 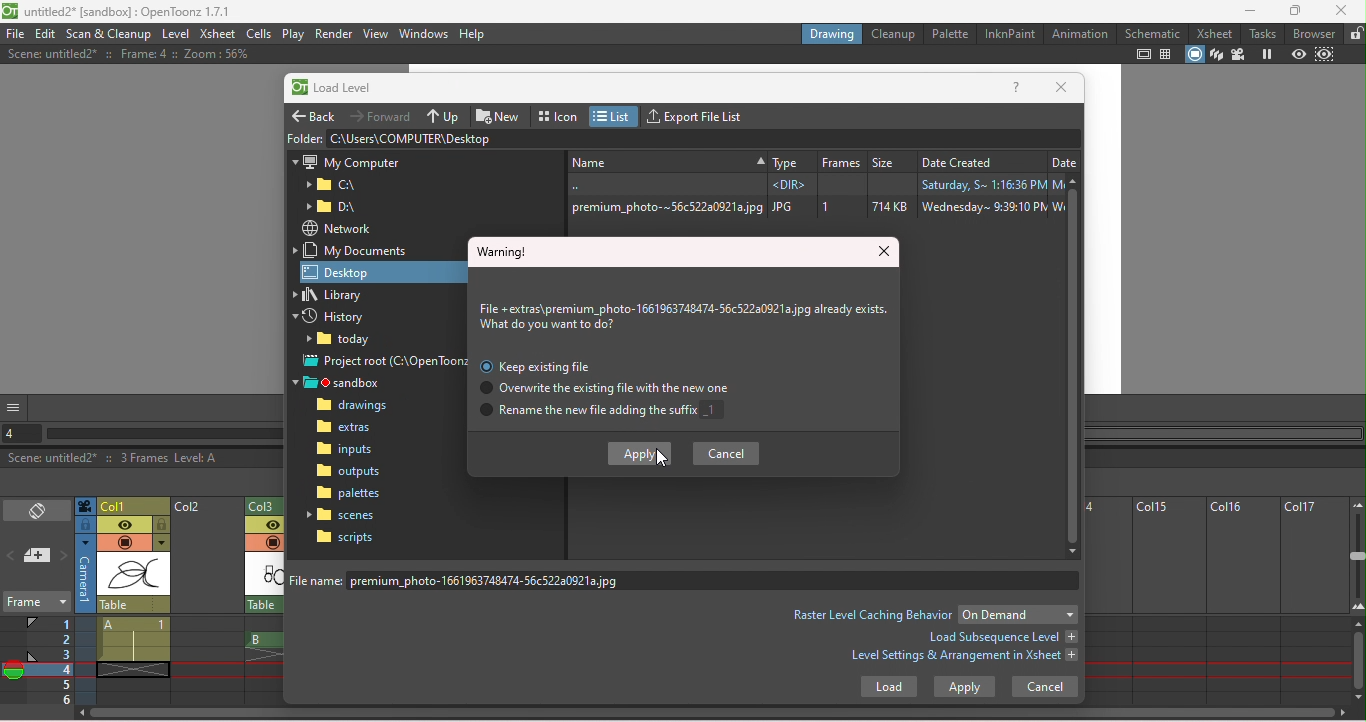 I want to click on Cleanup, so click(x=896, y=33).